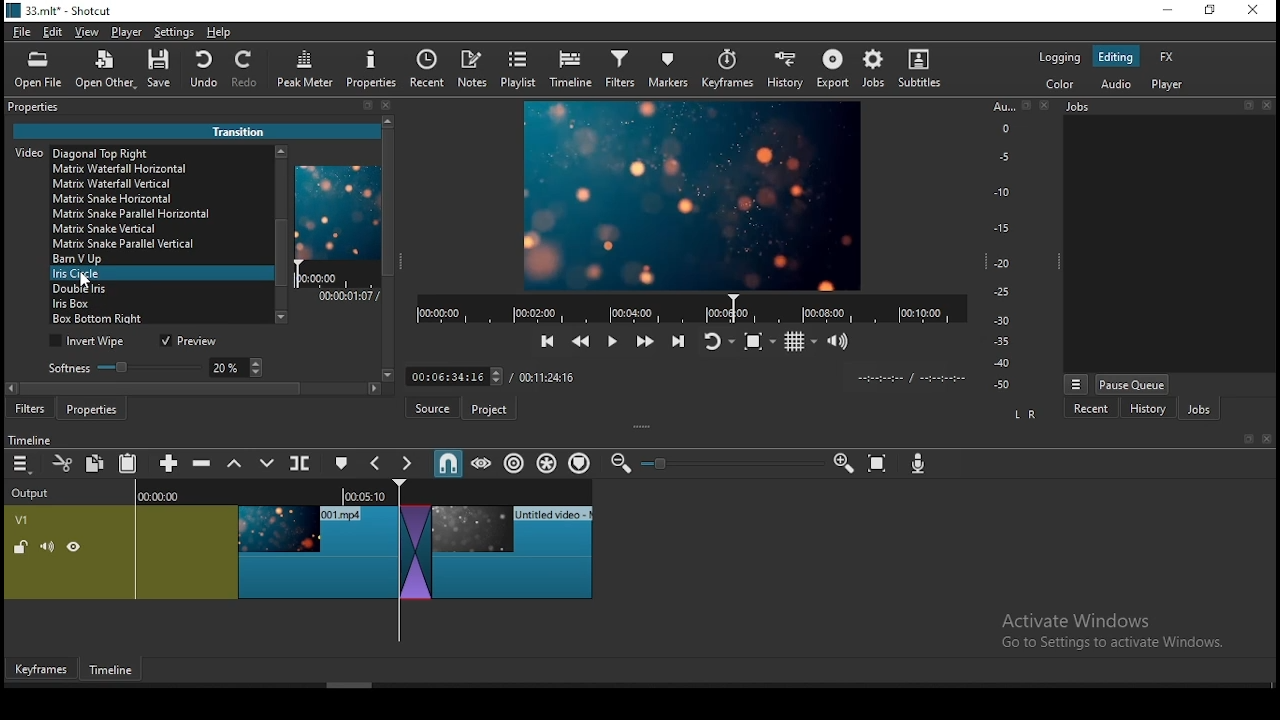 The image size is (1280, 720). What do you see at coordinates (107, 74) in the screenshot?
I see `open other` at bounding box center [107, 74].